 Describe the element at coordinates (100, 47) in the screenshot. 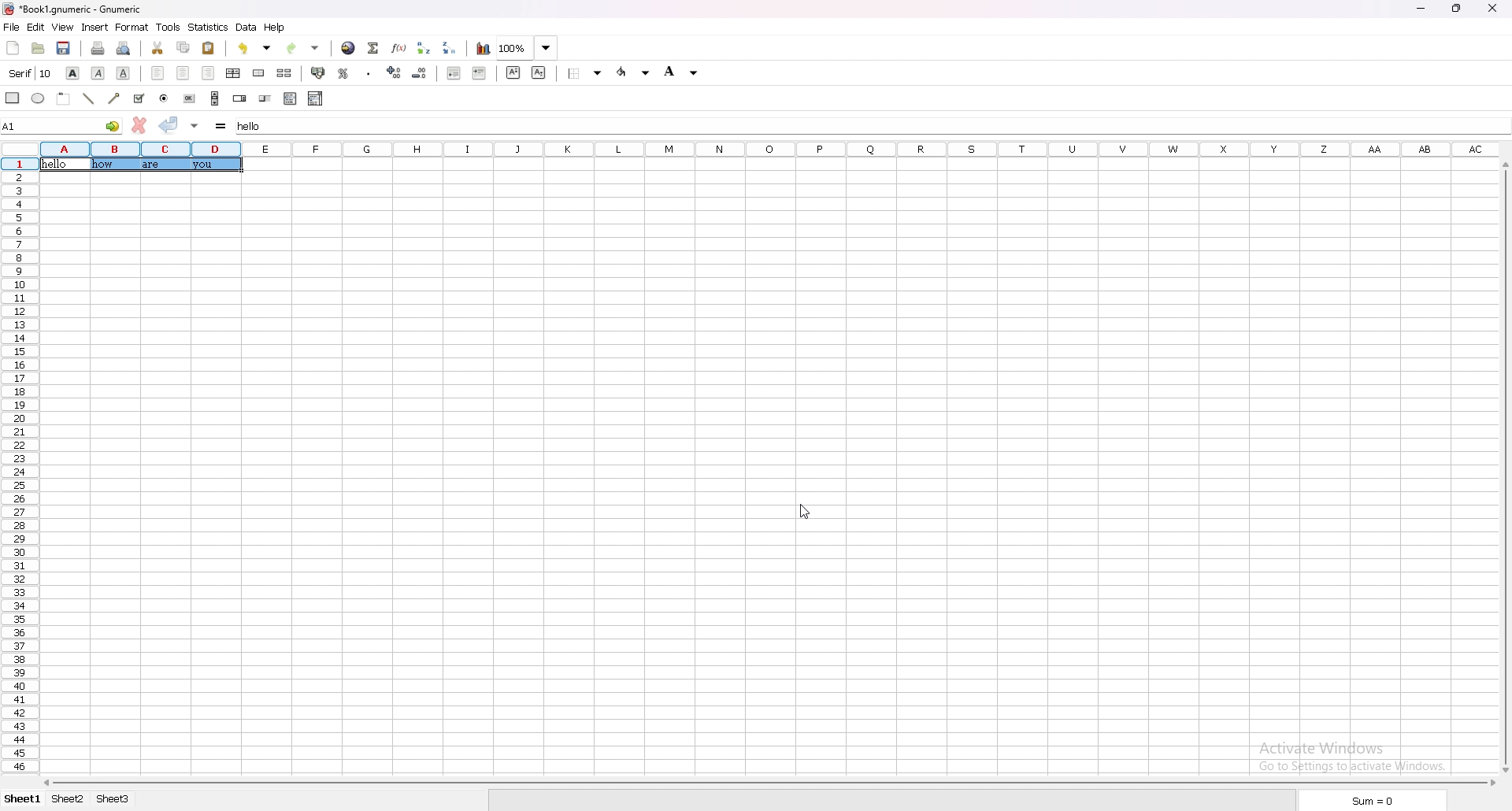

I see `print` at that location.